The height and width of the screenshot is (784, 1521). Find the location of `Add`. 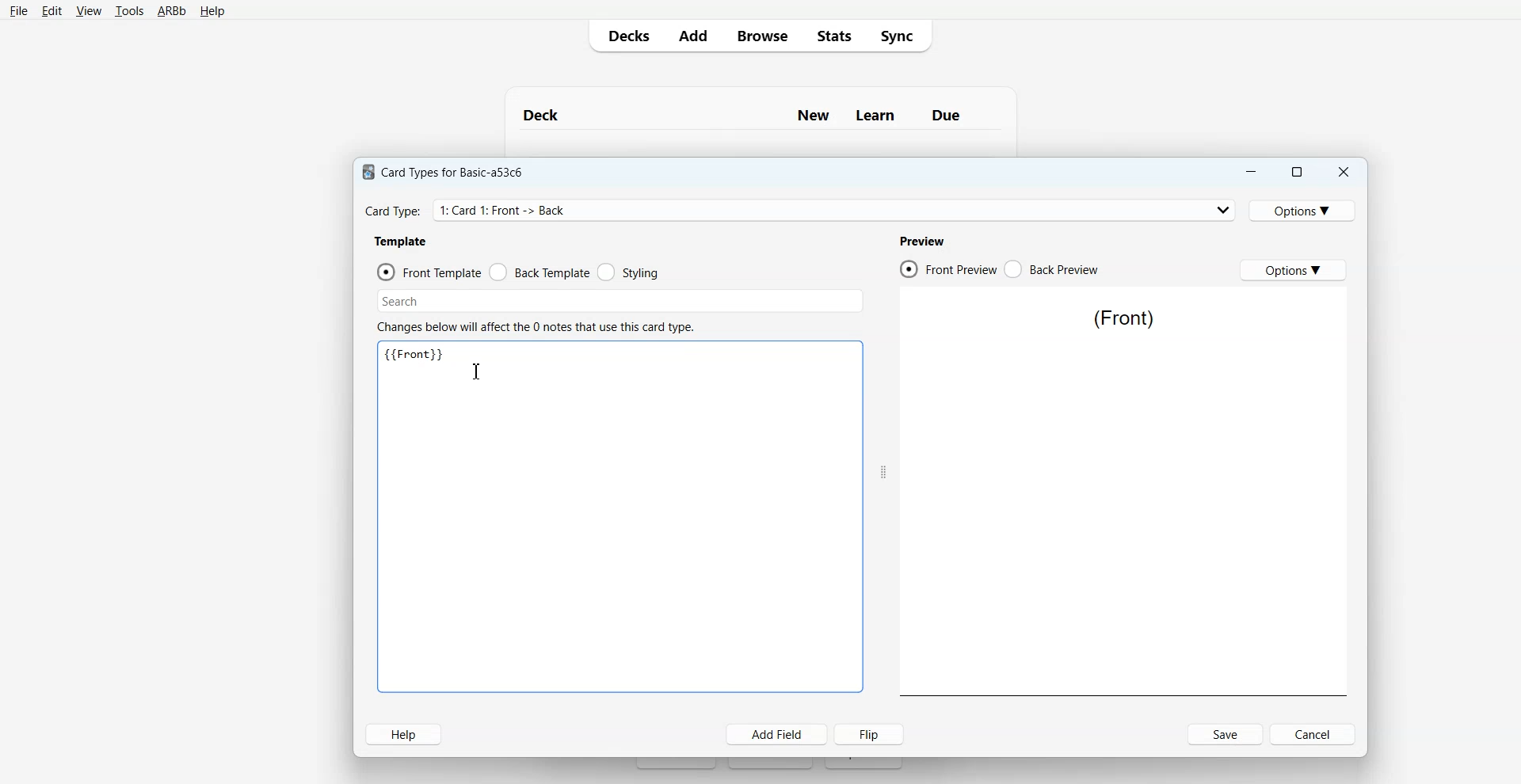

Add is located at coordinates (692, 36).